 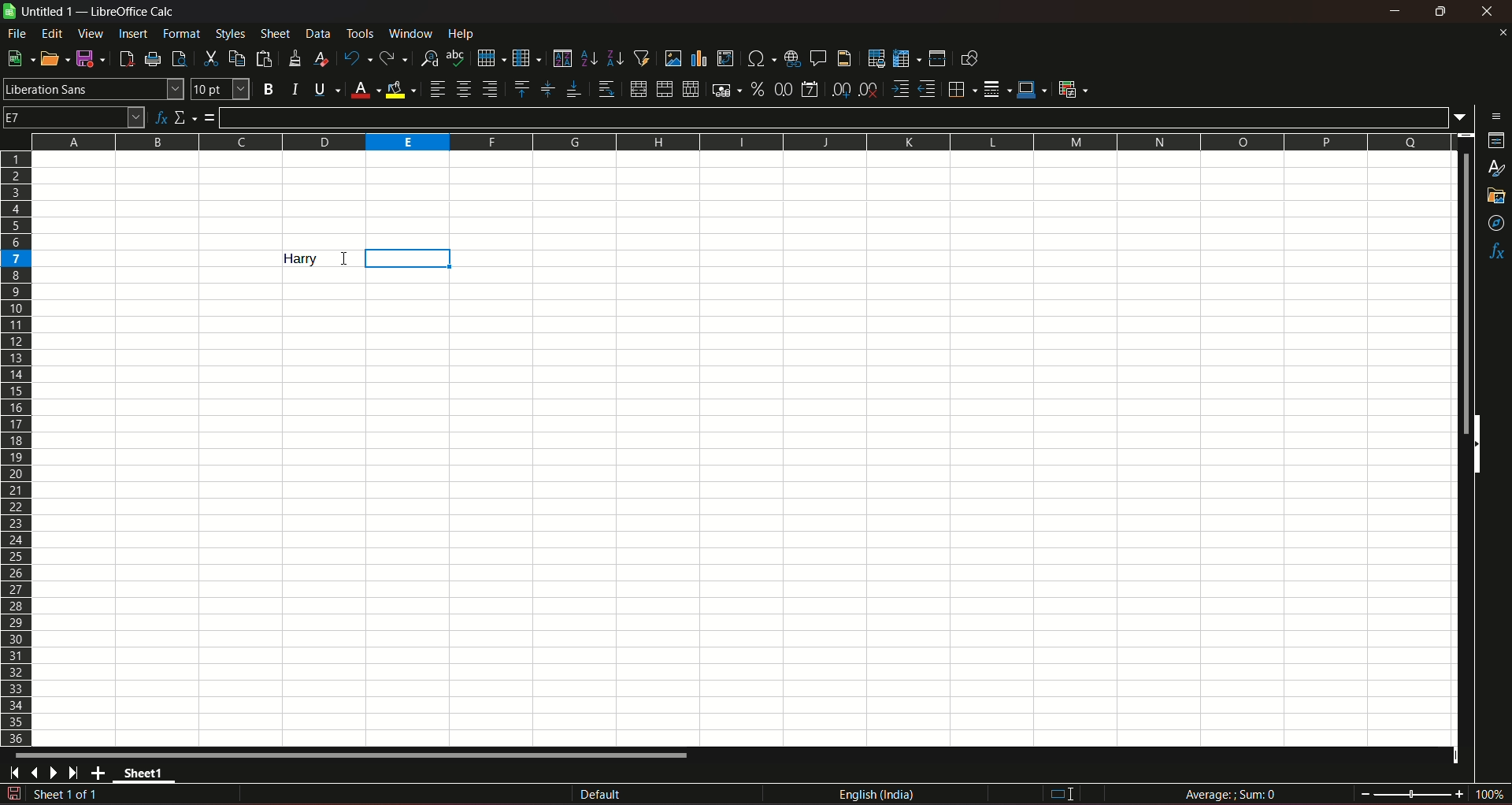 I want to click on side scrollbars, so click(x=1477, y=444).